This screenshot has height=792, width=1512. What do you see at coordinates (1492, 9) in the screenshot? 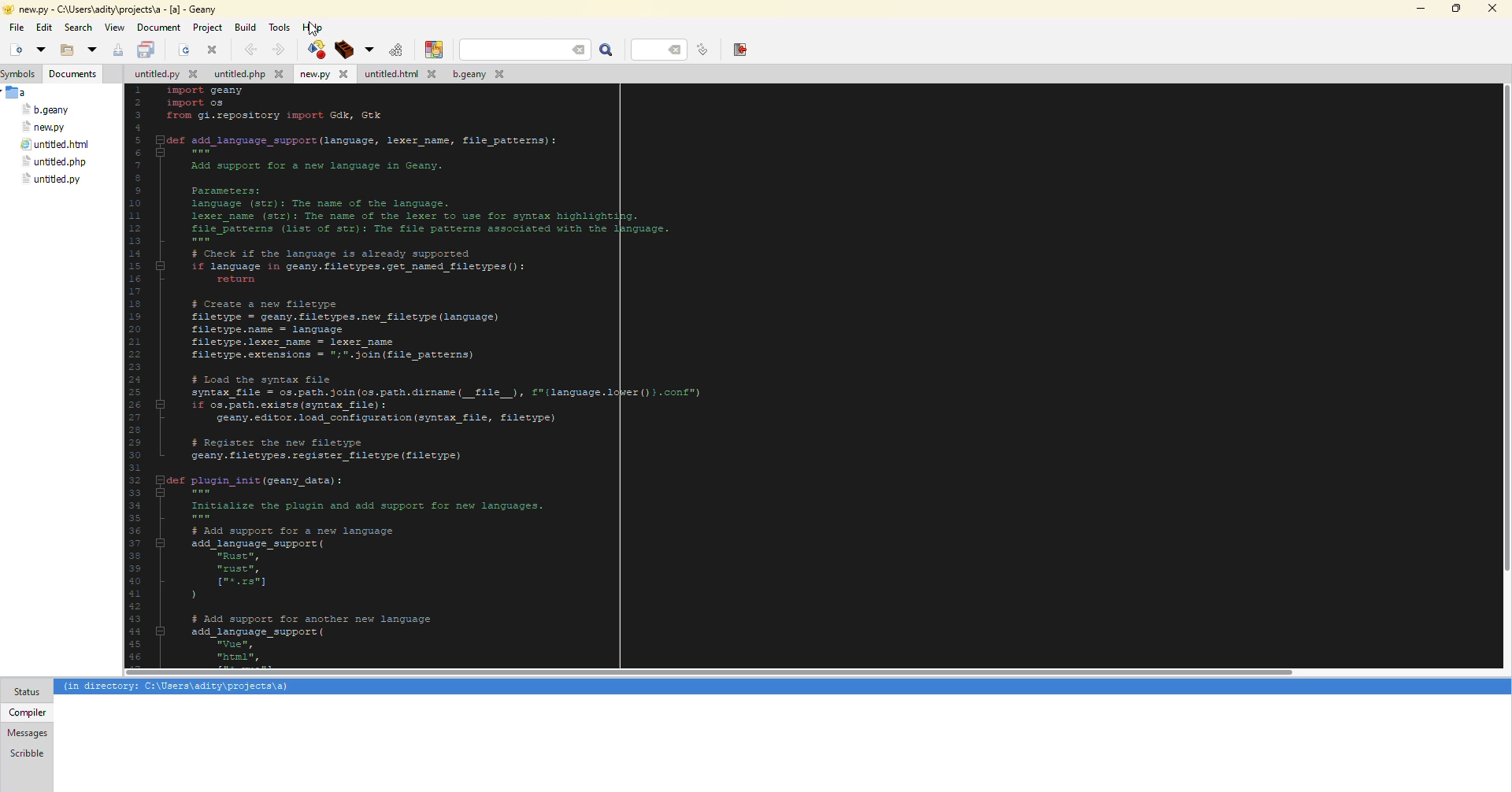
I see `close` at bounding box center [1492, 9].